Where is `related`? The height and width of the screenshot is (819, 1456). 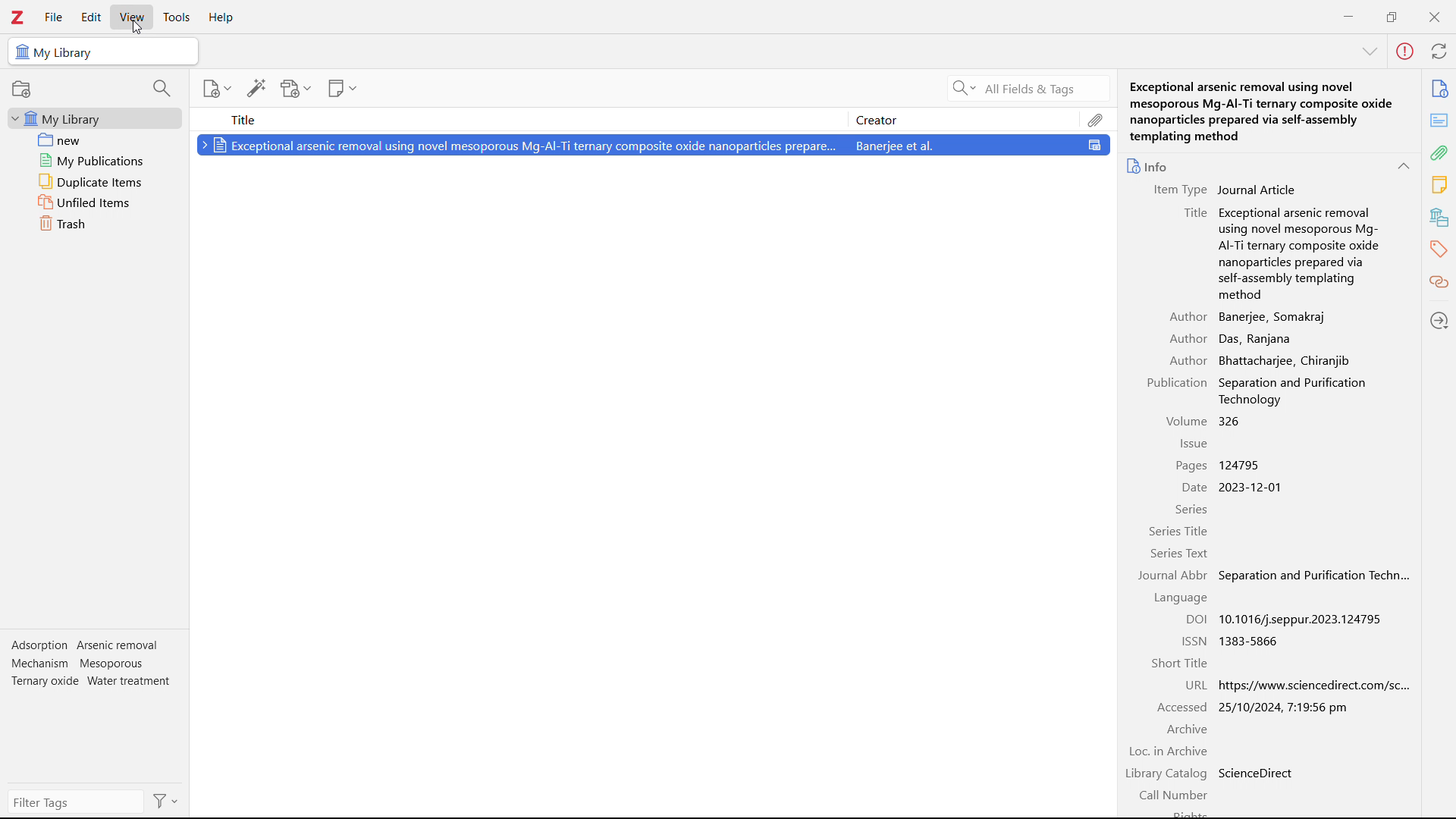
related is located at coordinates (1439, 281).